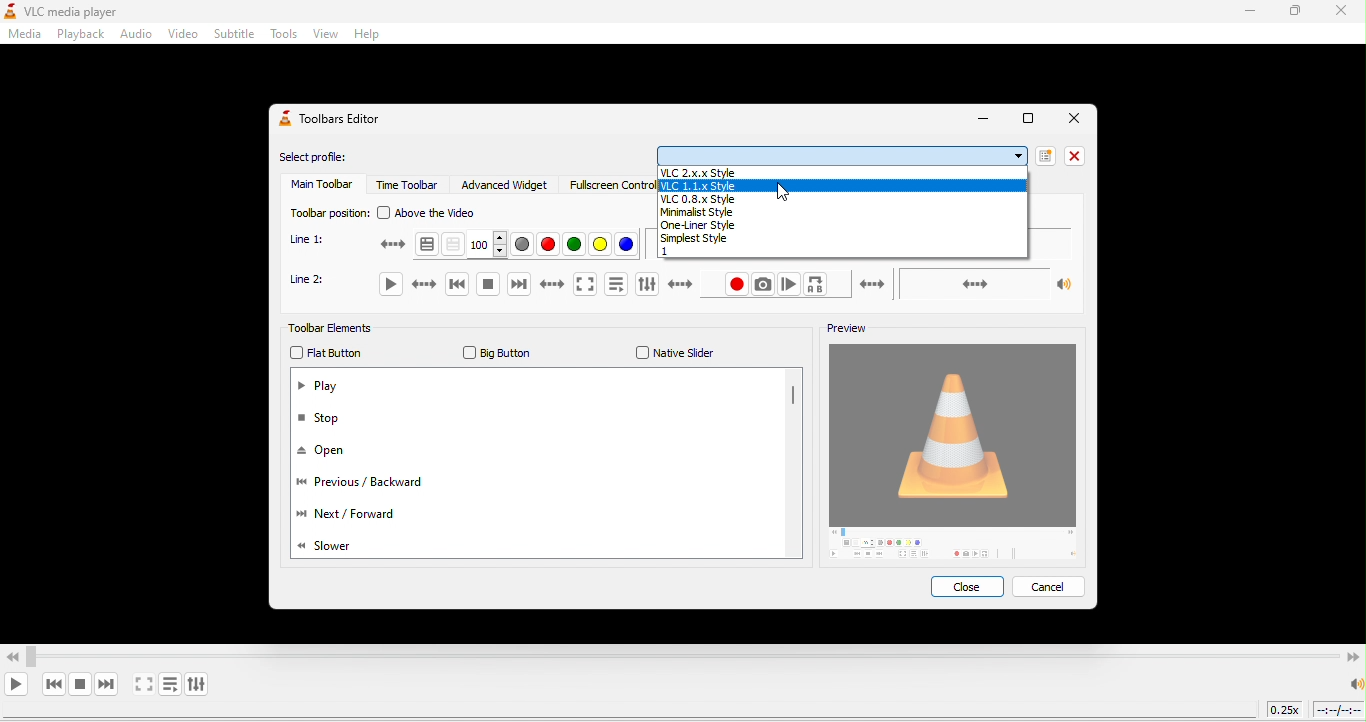  What do you see at coordinates (77, 34) in the screenshot?
I see `playback` at bounding box center [77, 34].